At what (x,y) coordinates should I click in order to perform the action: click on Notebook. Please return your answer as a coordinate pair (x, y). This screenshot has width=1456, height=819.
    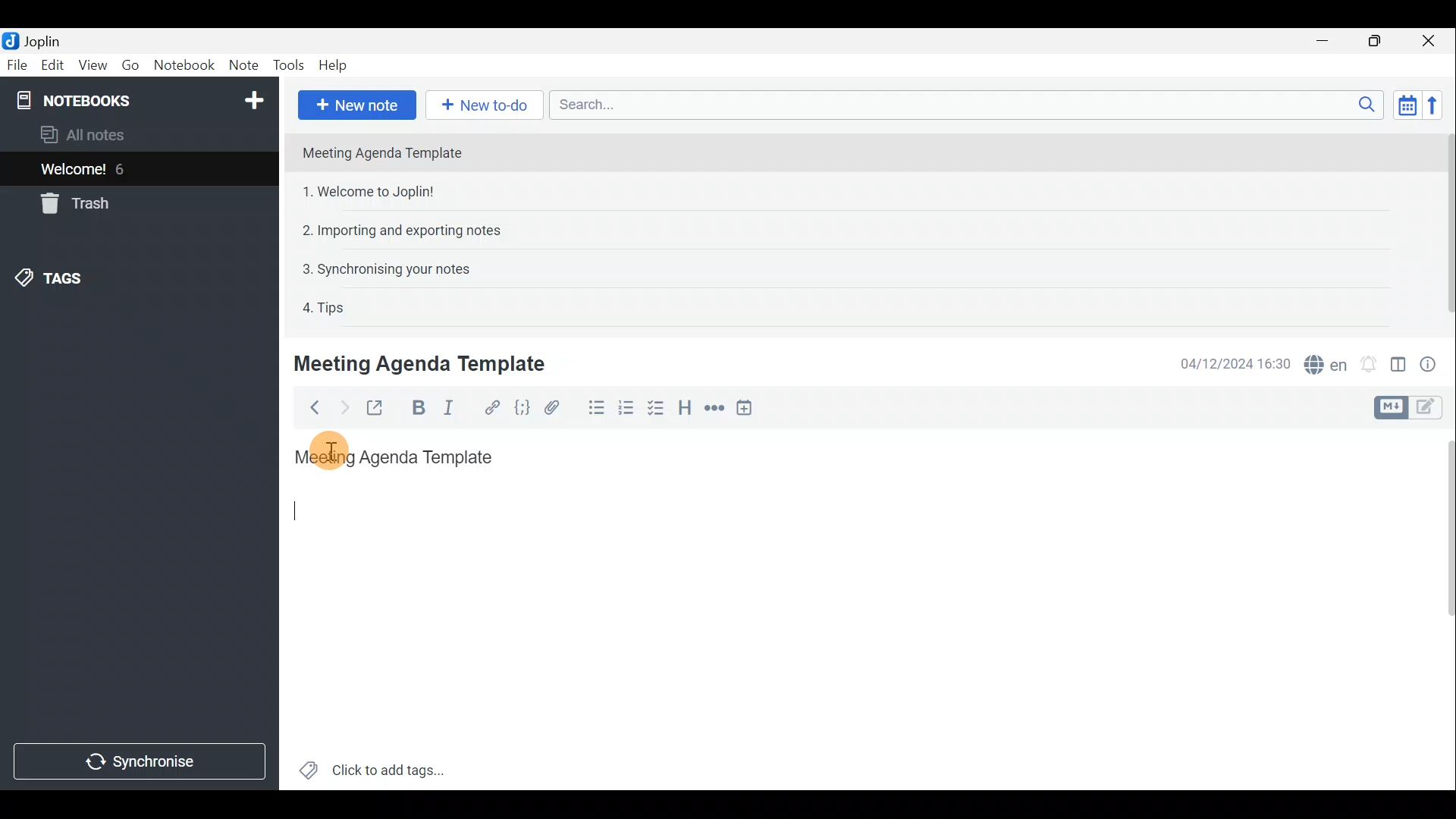
    Looking at the image, I should click on (184, 64).